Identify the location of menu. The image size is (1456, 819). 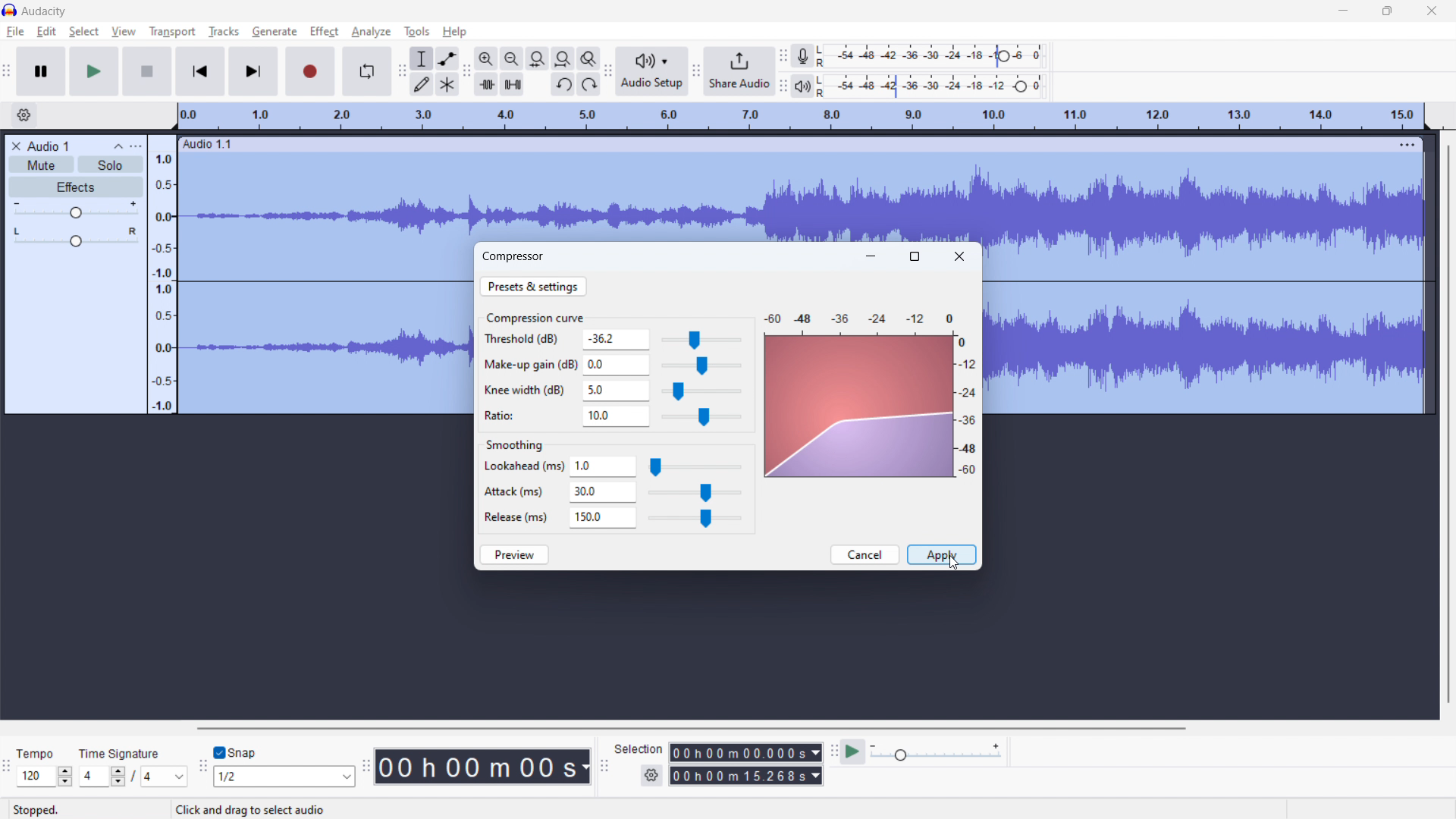
(1409, 144).